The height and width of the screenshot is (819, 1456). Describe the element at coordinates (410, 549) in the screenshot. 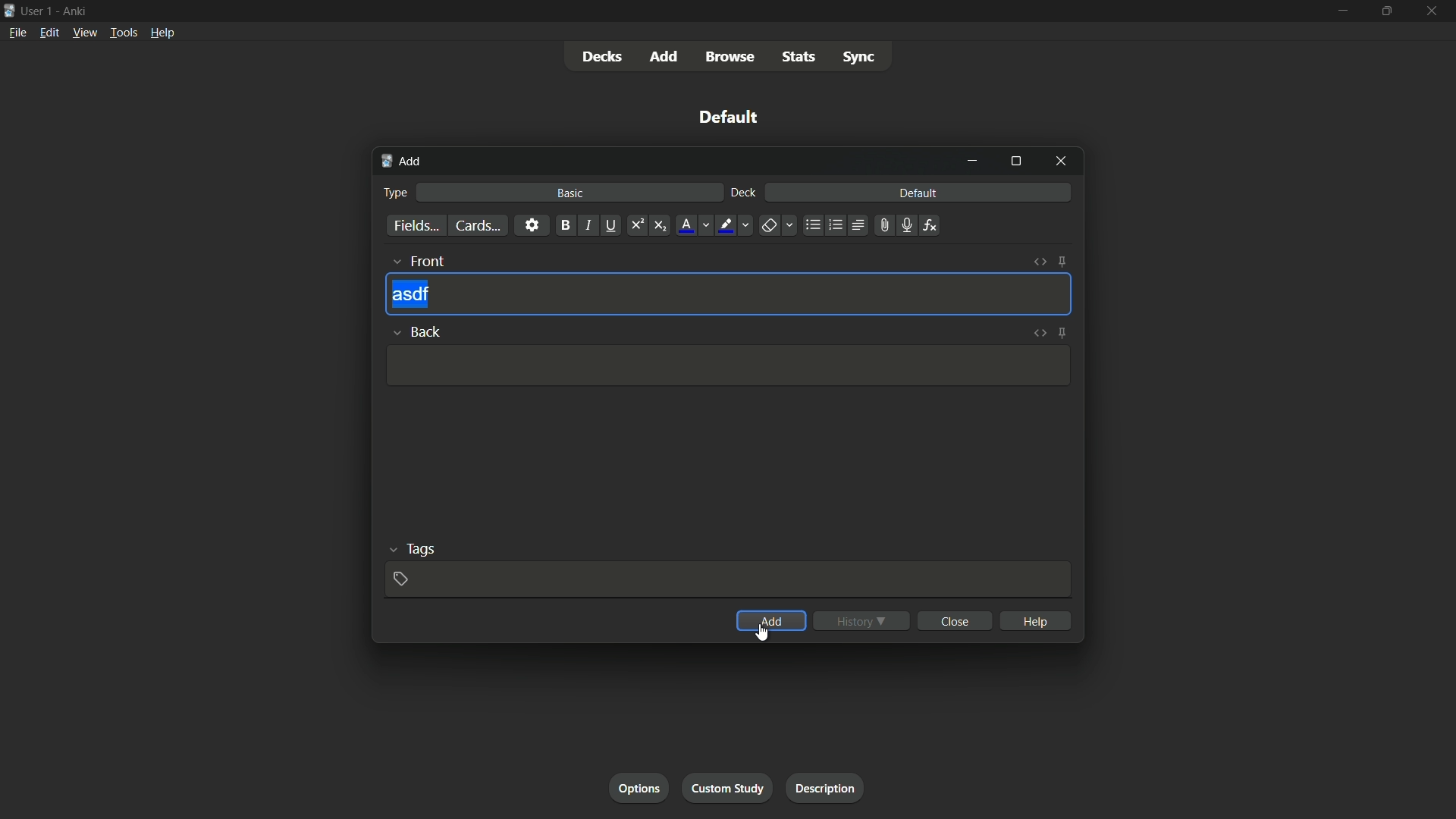

I see `tags` at that location.